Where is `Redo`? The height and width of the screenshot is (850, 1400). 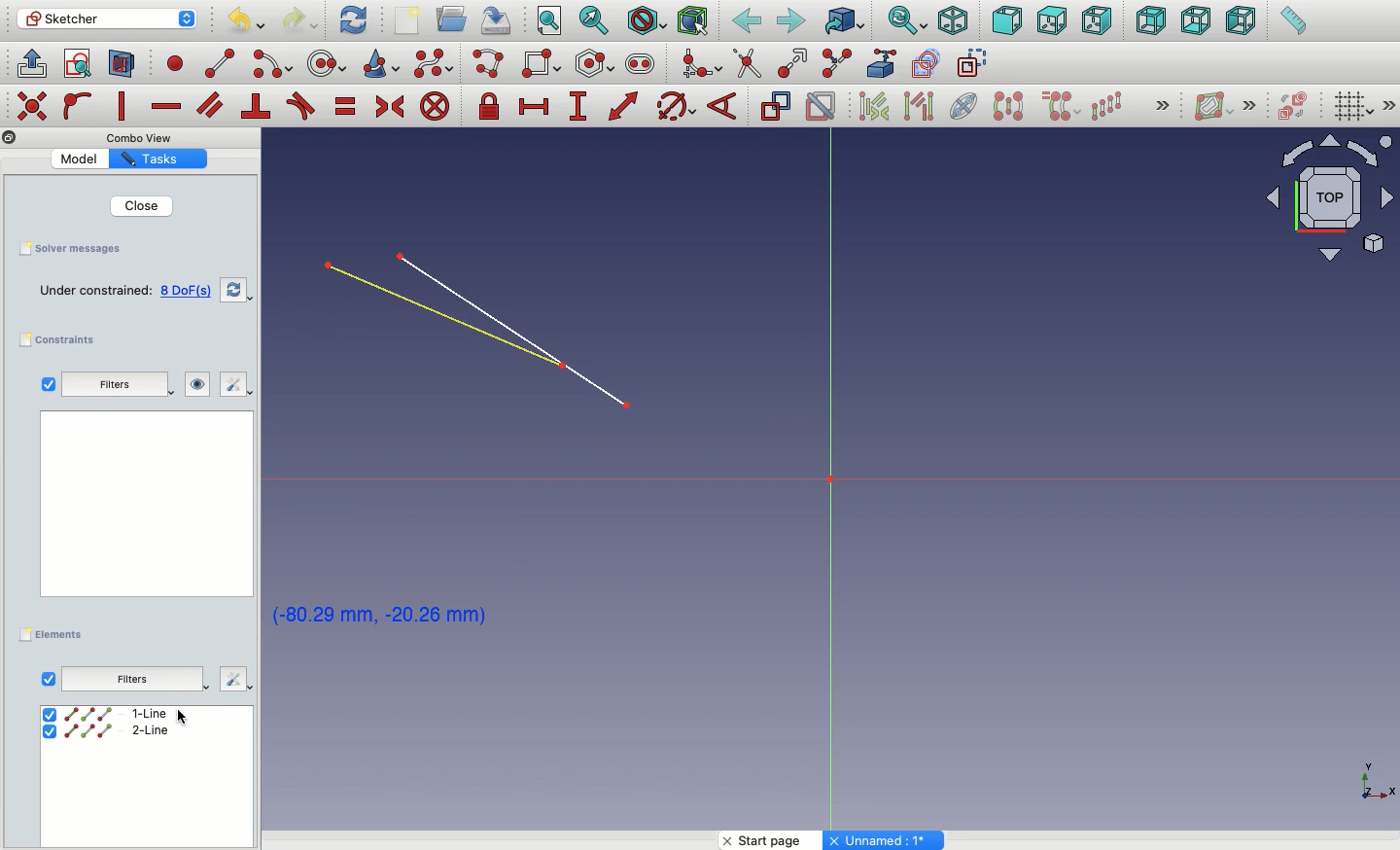 Redo is located at coordinates (301, 20).